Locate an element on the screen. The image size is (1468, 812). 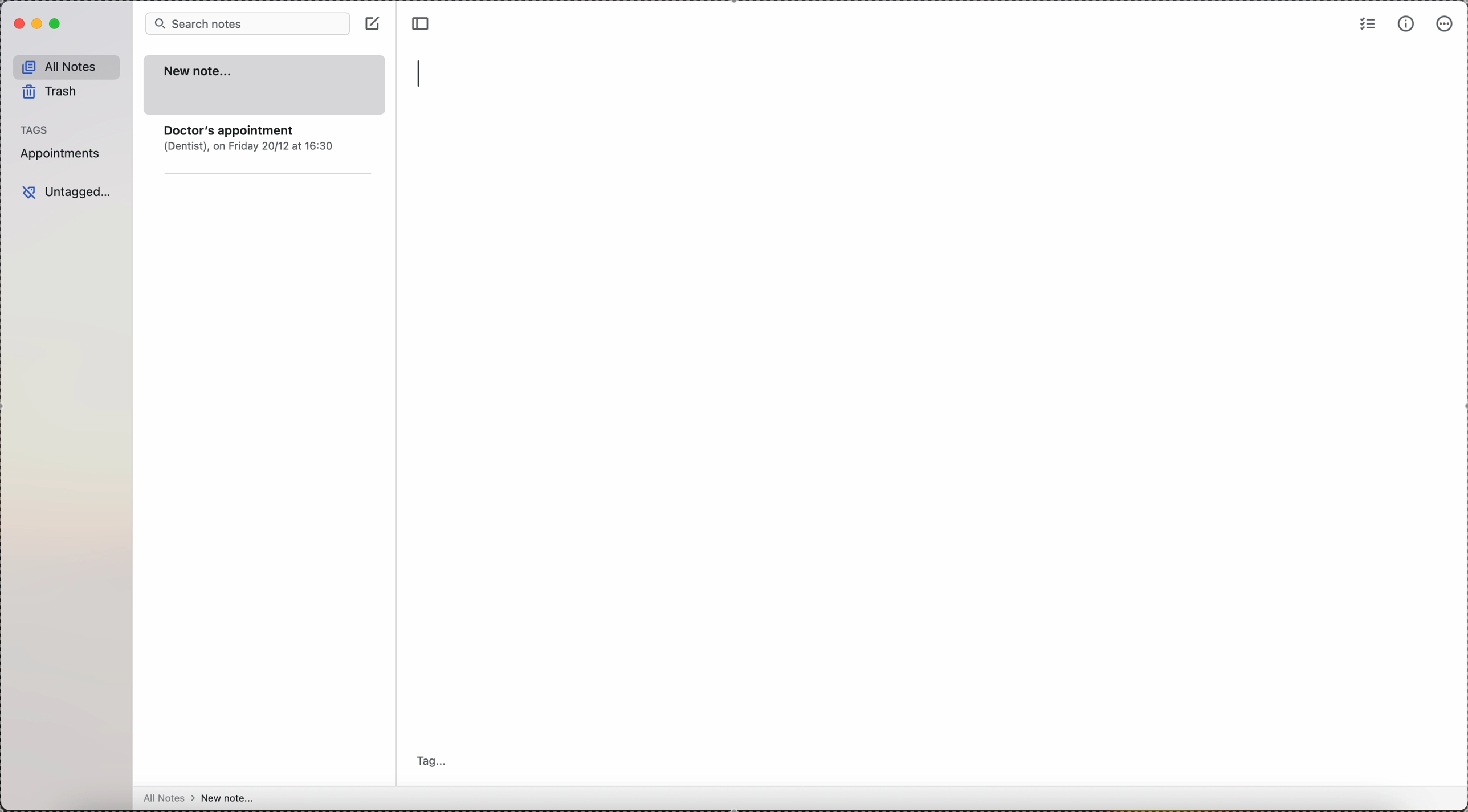
toggle sidebar is located at coordinates (419, 22).